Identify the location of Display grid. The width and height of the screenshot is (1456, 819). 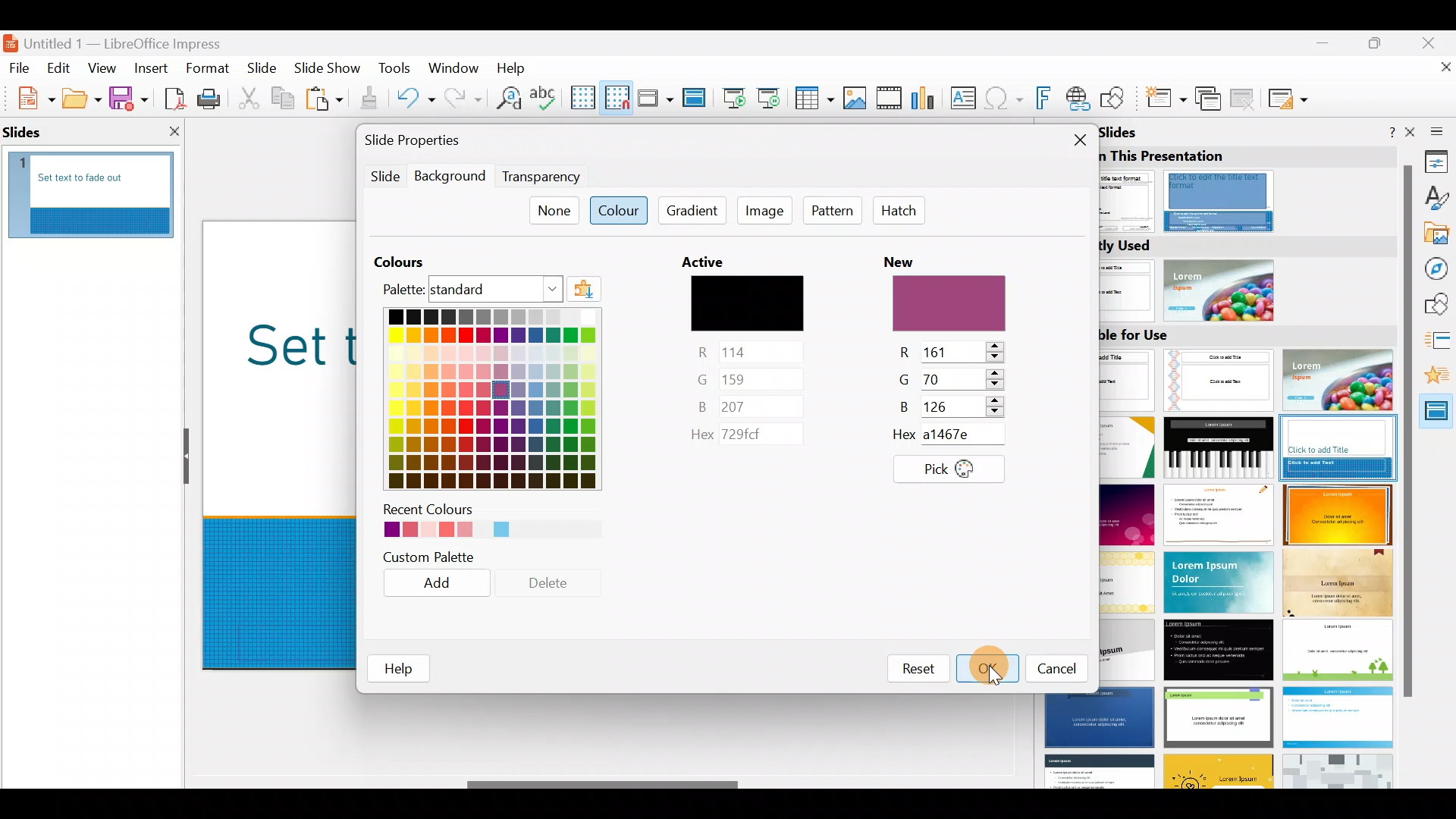
(582, 96).